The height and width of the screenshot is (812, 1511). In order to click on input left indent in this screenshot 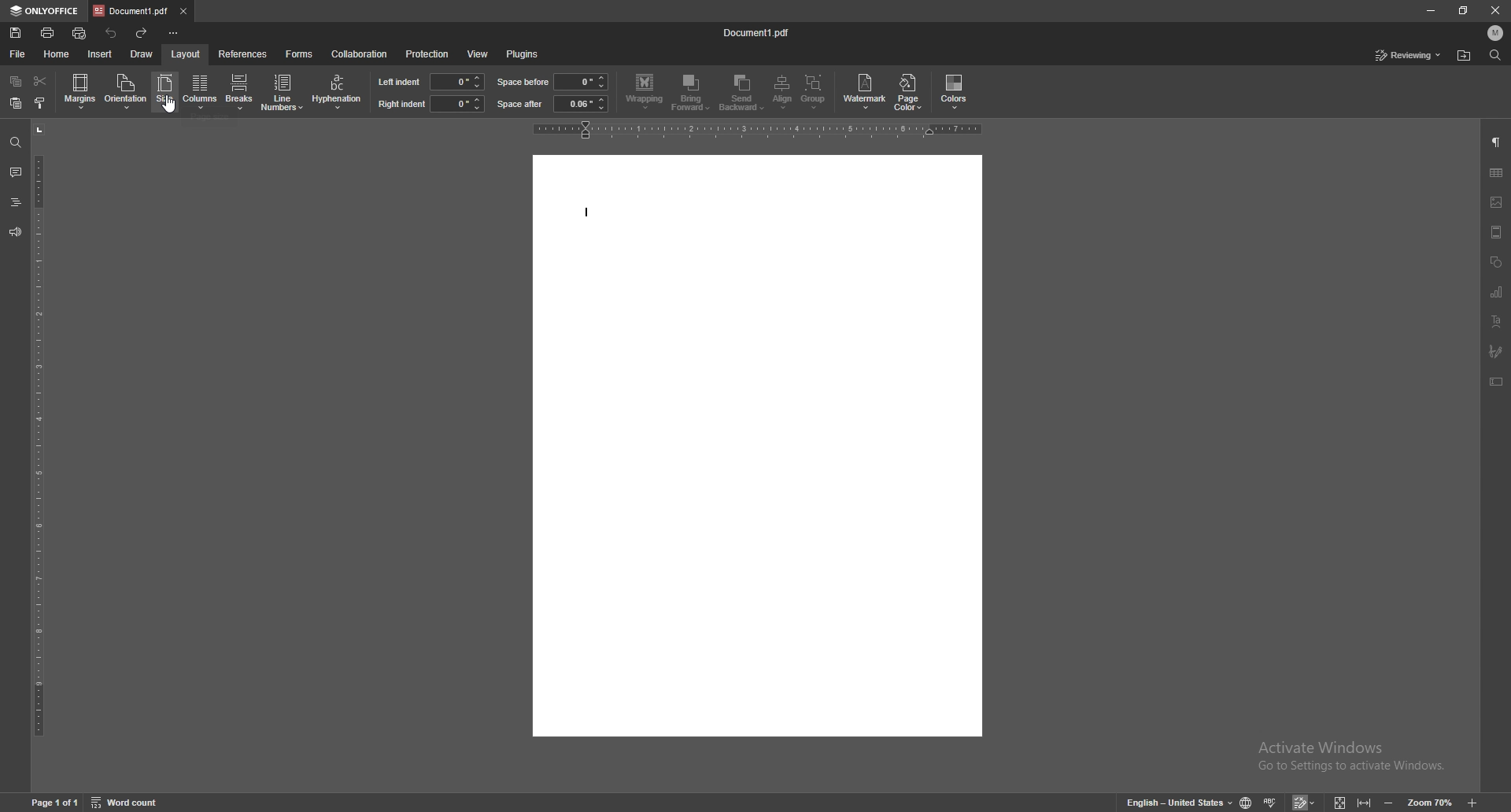, I will do `click(457, 81)`.